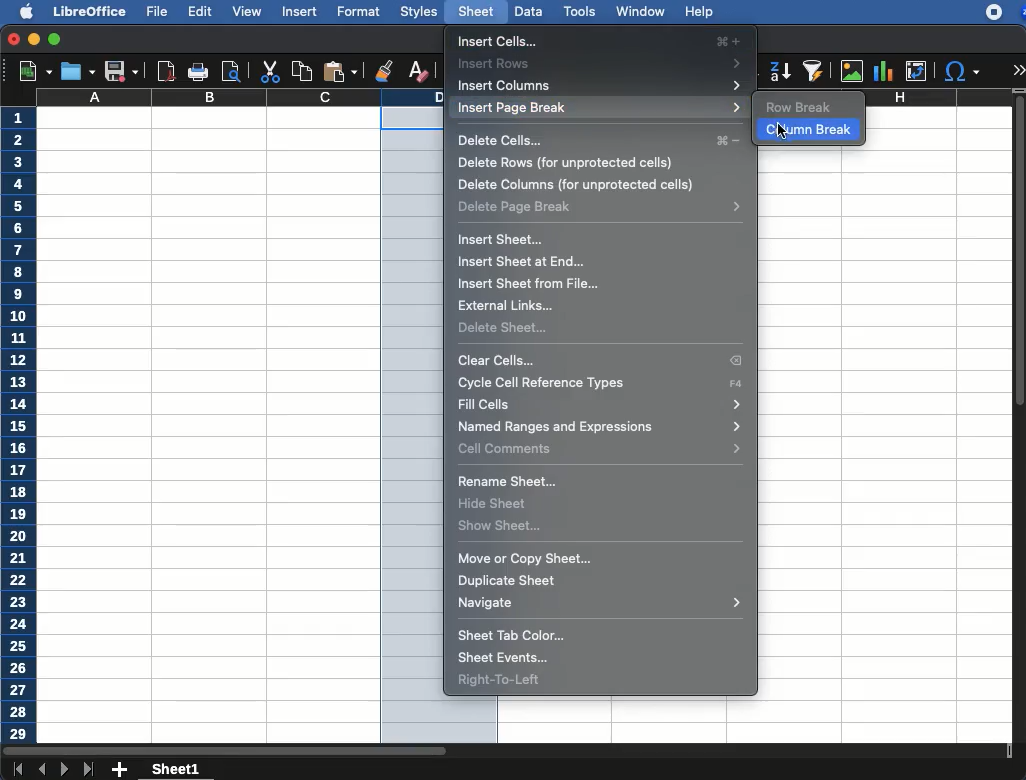 The width and height of the screenshot is (1026, 780). What do you see at coordinates (599, 41) in the screenshot?
I see `insert cells` at bounding box center [599, 41].